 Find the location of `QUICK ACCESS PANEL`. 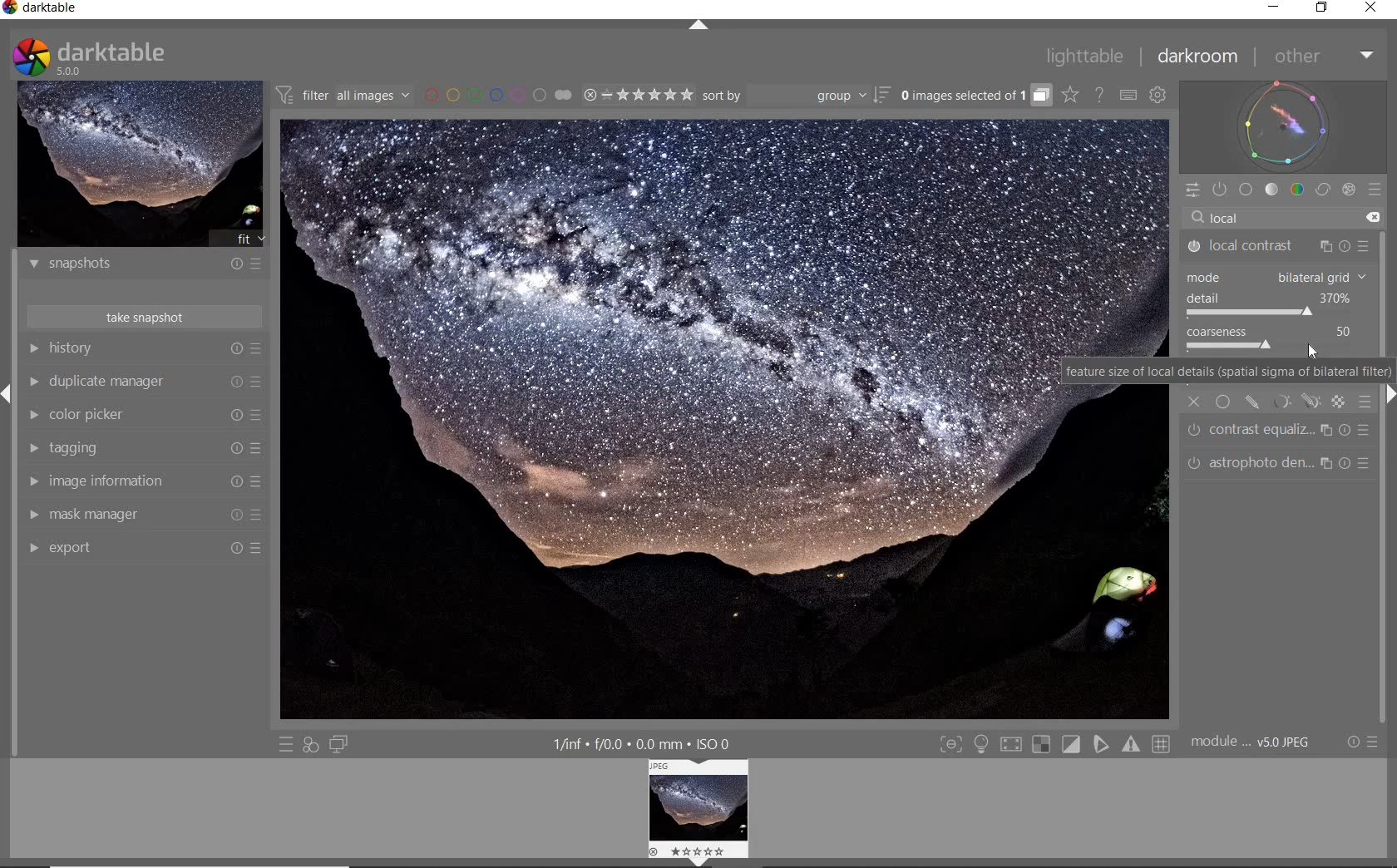

QUICK ACCESS PANEL is located at coordinates (1195, 190).